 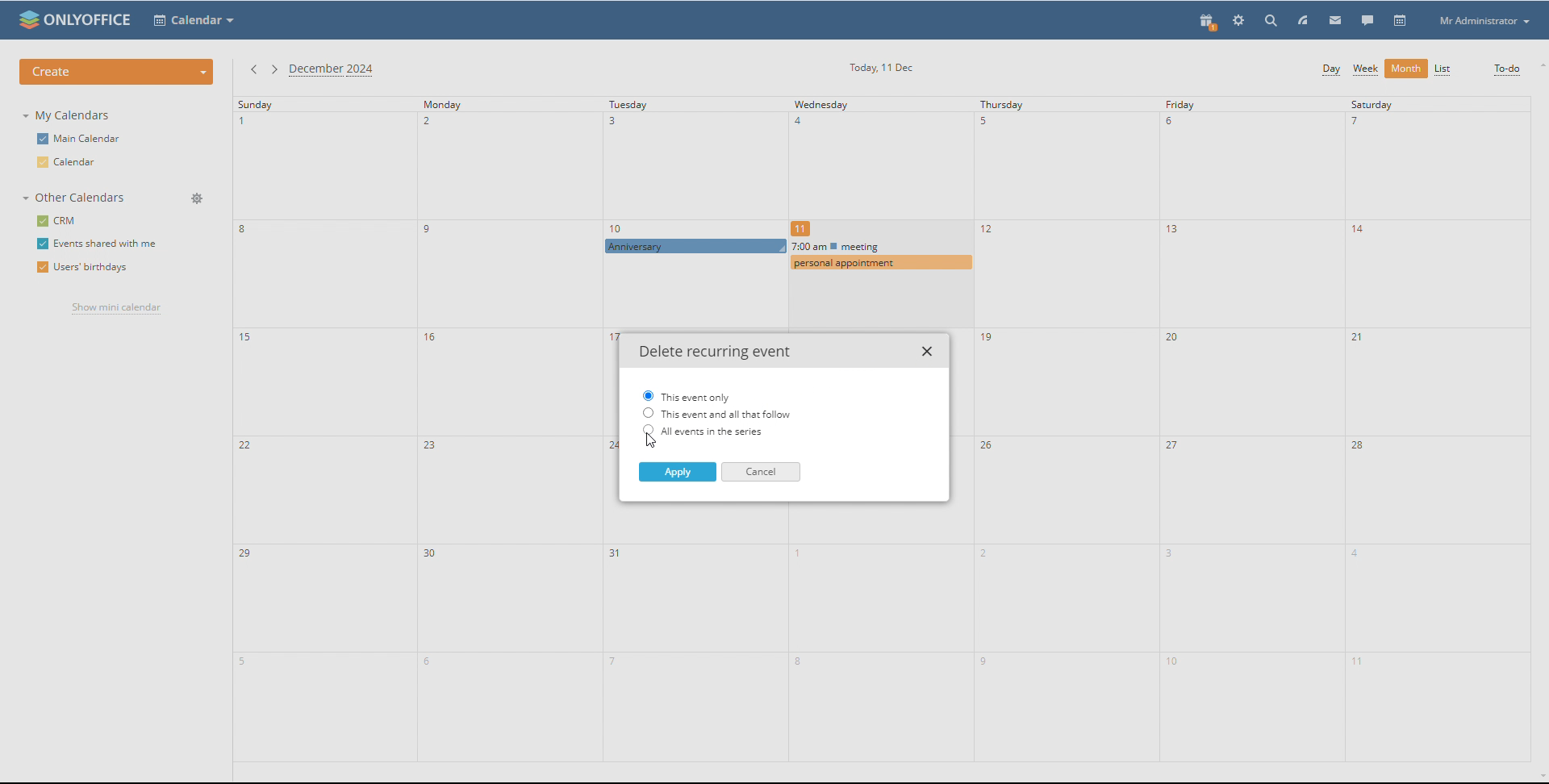 What do you see at coordinates (82, 137) in the screenshot?
I see `main calendar` at bounding box center [82, 137].